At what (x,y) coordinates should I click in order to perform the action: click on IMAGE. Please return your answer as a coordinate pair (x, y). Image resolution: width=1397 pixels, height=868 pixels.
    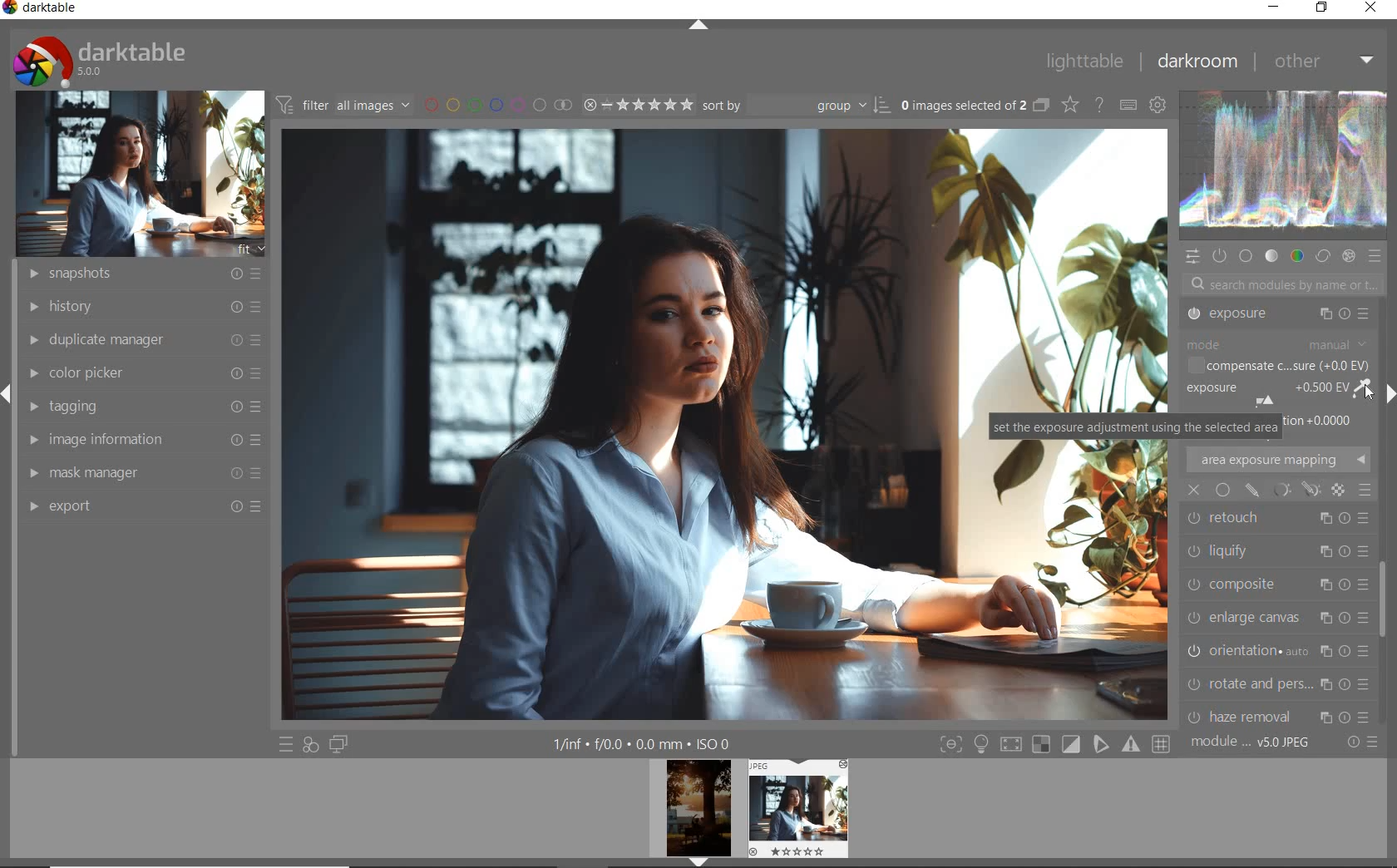
    Looking at the image, I should click on (136, 173).